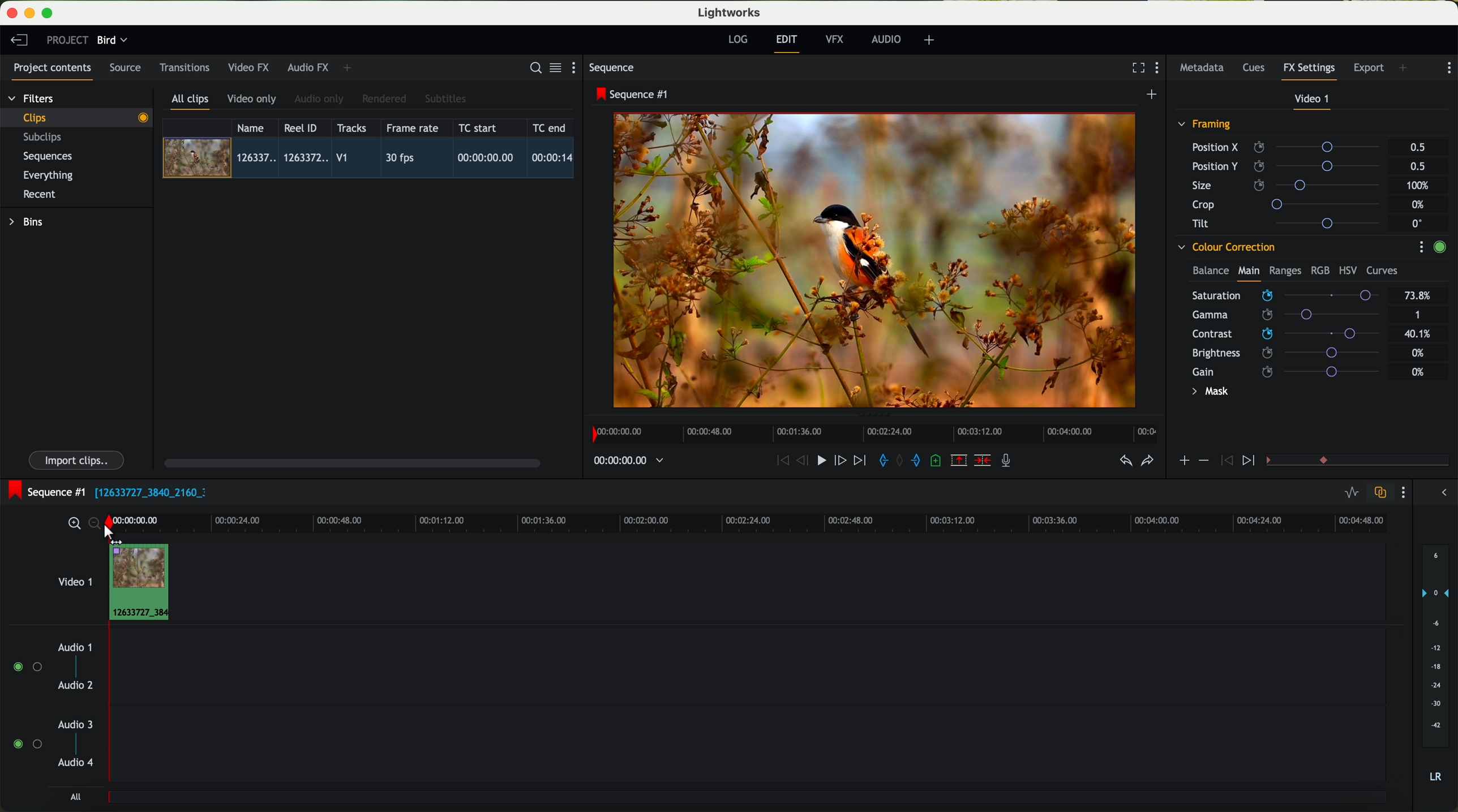  I want to click on rewind, so click(782, 461).